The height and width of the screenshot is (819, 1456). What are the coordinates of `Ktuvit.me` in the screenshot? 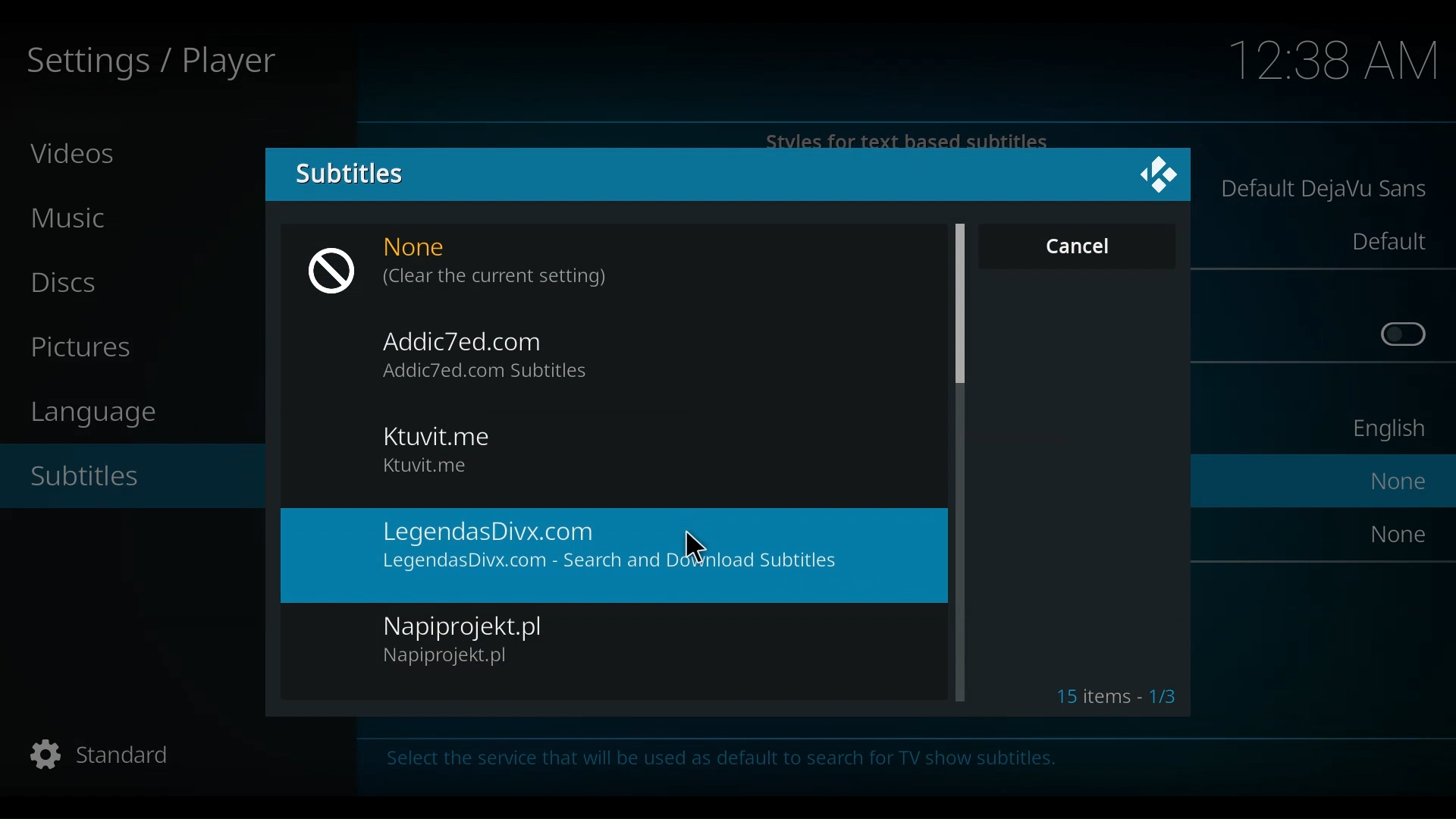 It's located at (426, 465).